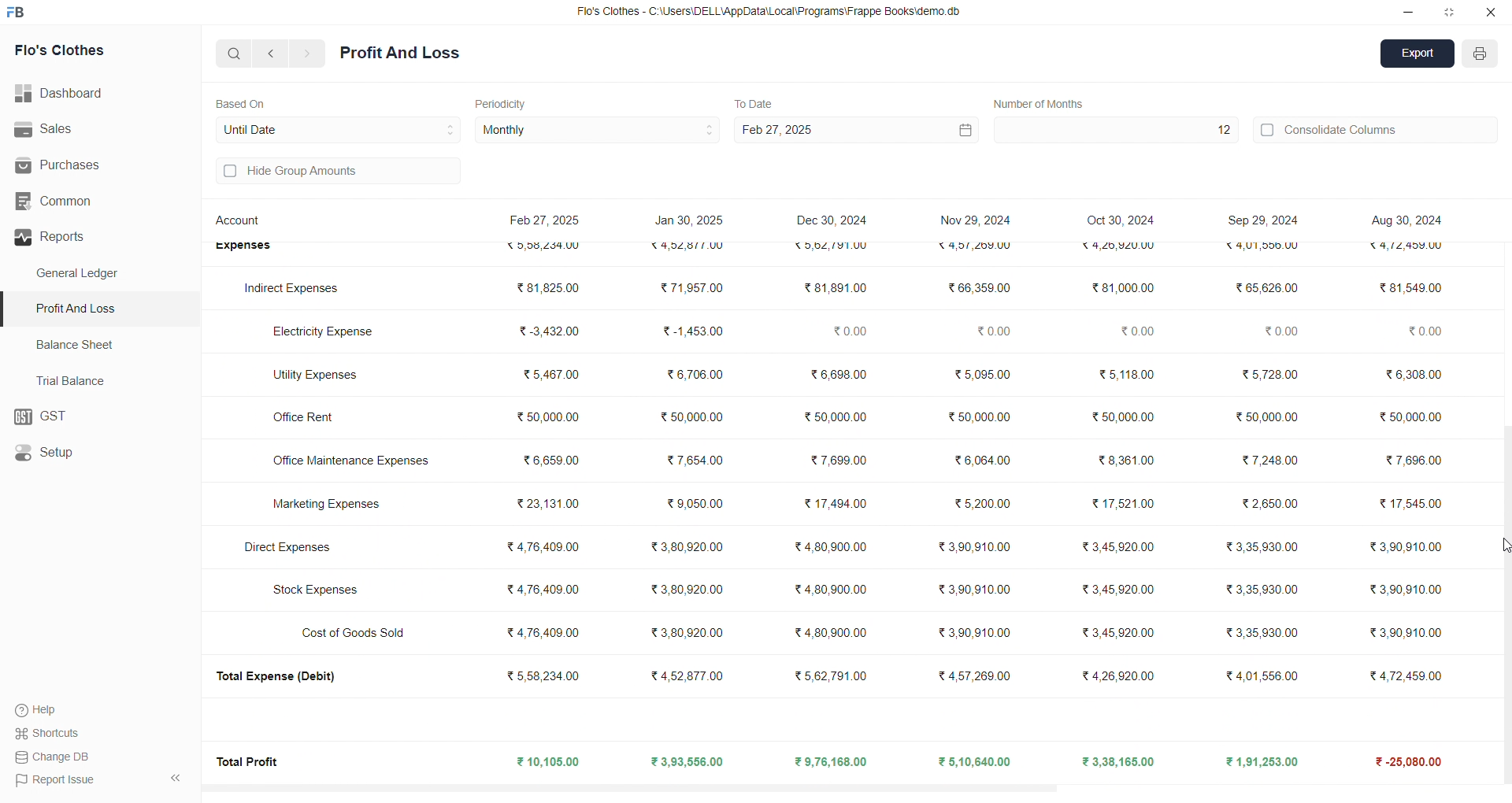 Image resolution: width=1512 pixels, height=803 pixels. What do you see at coordinates (832, 675) in the screenshot?
I see `₹5,62,791.00` at bounding box center [832, 675].